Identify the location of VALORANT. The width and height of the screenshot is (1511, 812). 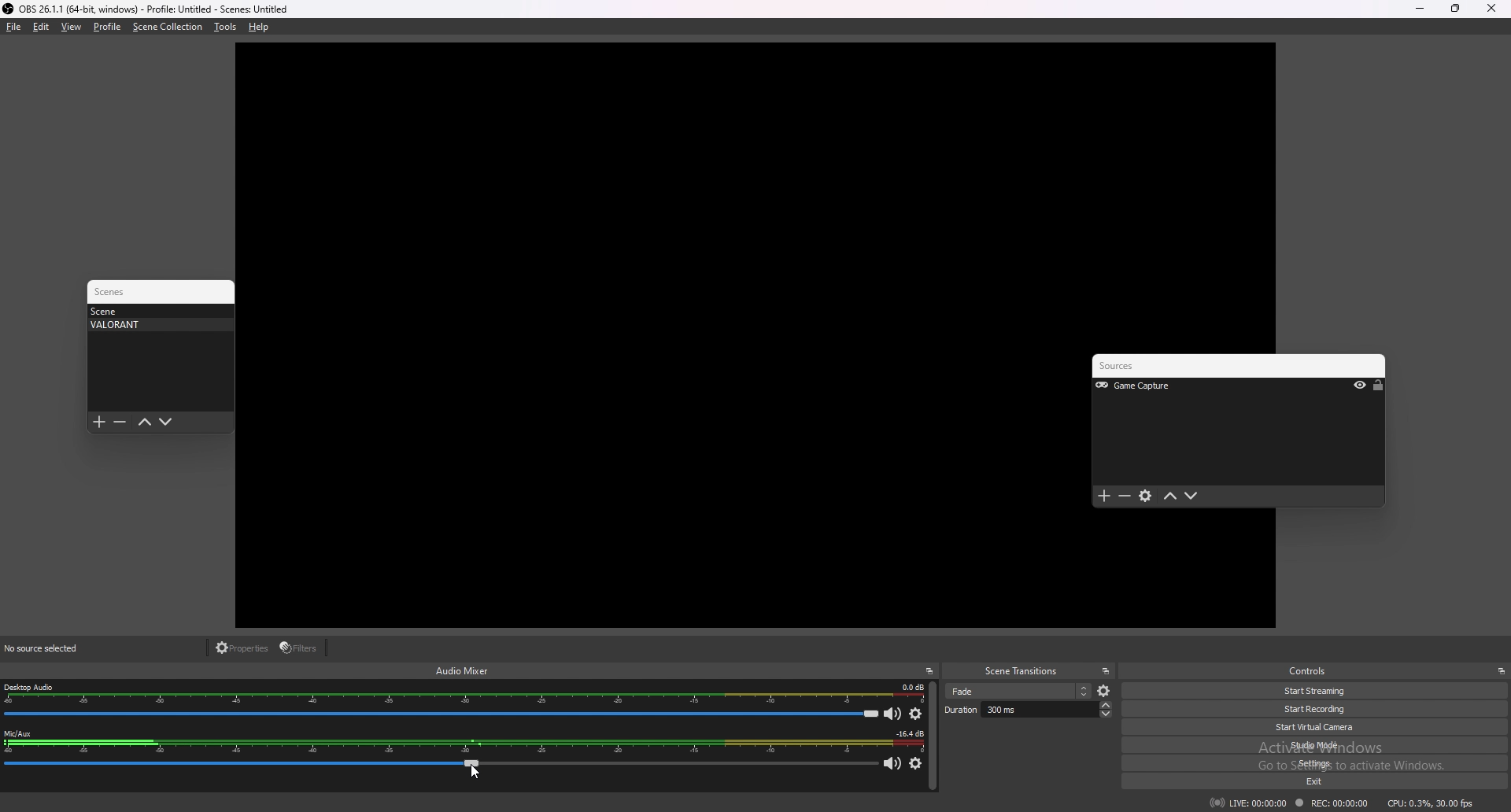
(156, 325).